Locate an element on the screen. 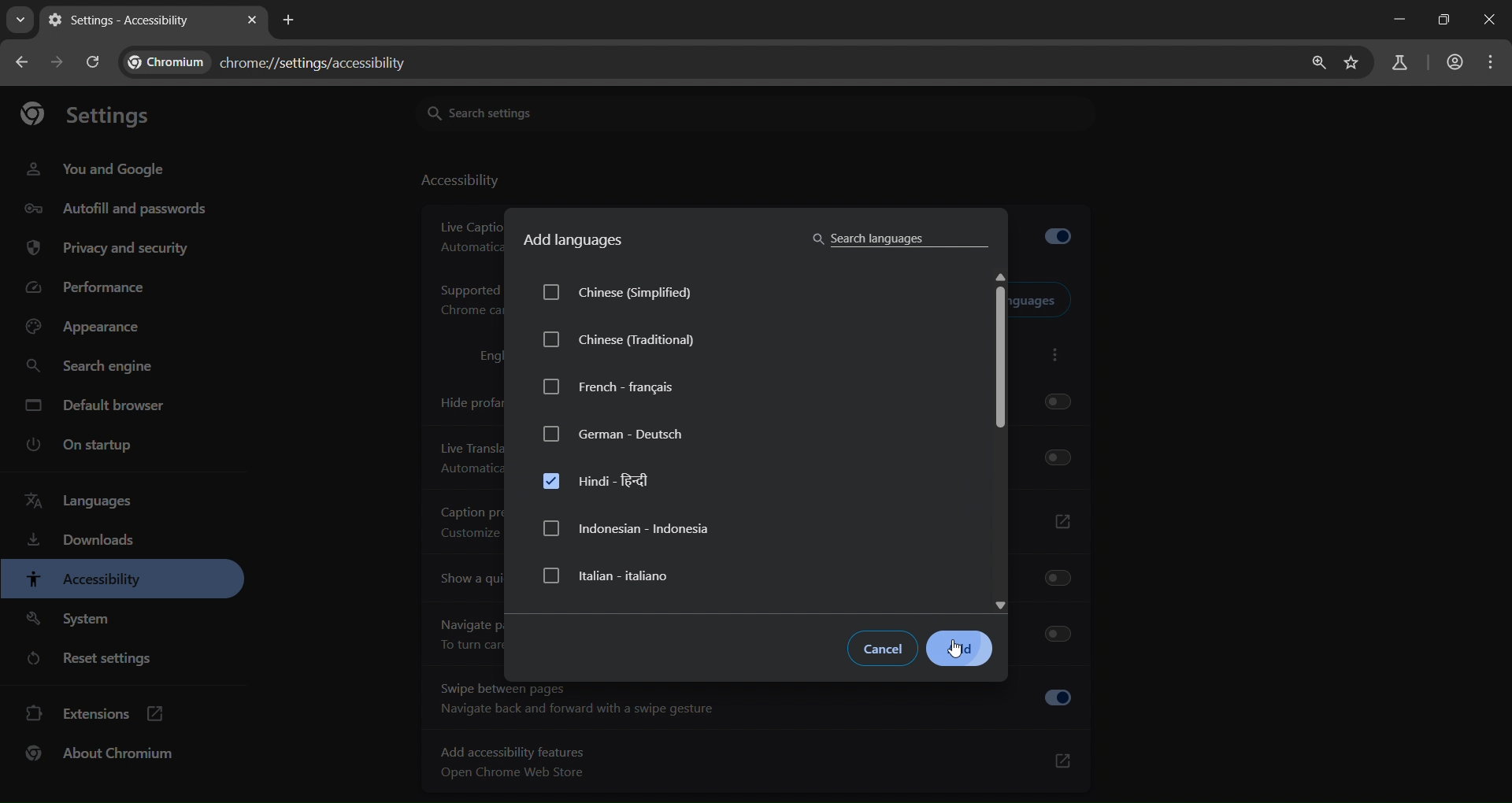  close is located at coordinates (1487, 21).